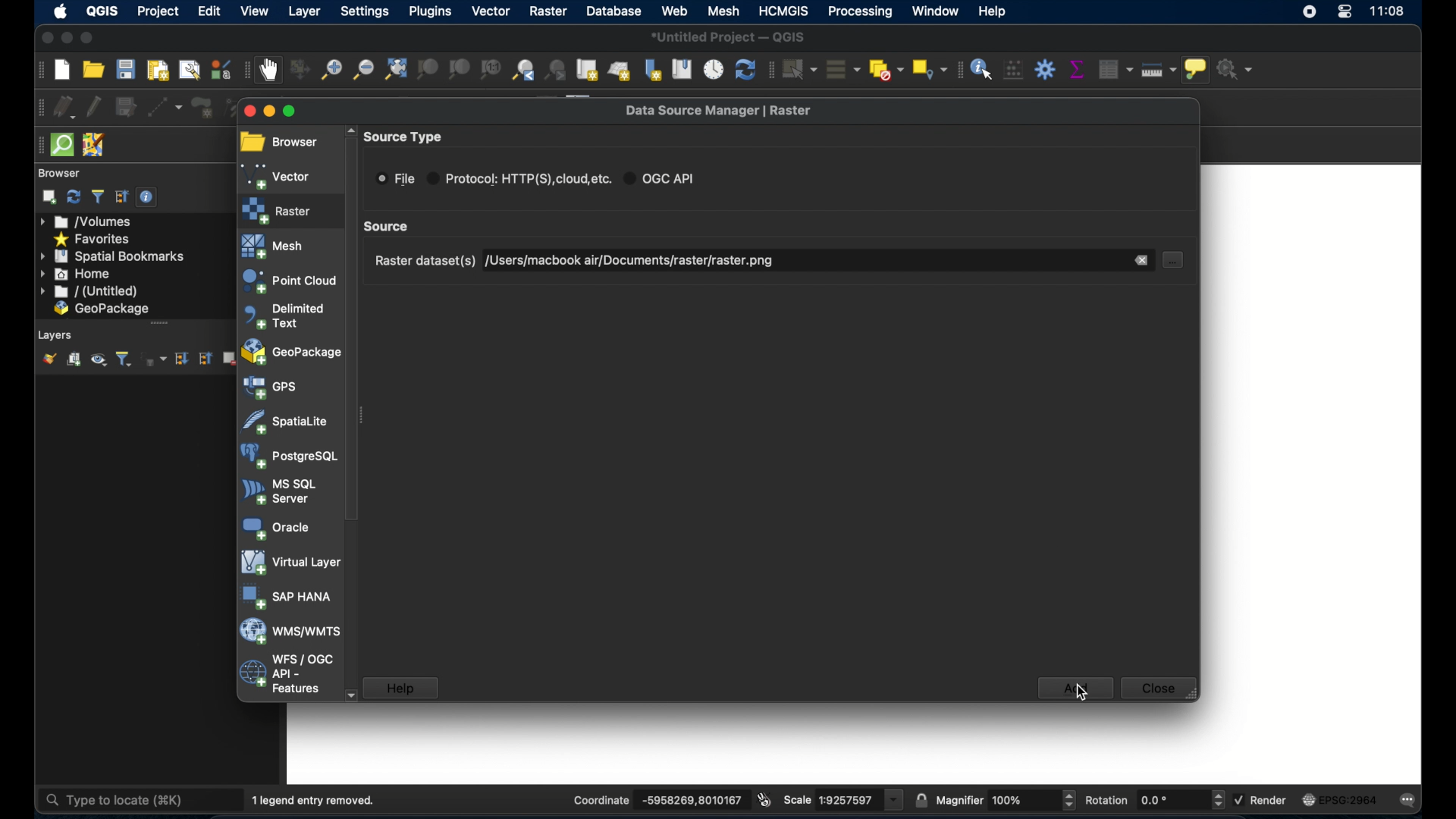 The width and height of the screenshot is (1456, 819). Describe the element at coordinates (87, 38) in the screenshot. I see `maximize` at that location.